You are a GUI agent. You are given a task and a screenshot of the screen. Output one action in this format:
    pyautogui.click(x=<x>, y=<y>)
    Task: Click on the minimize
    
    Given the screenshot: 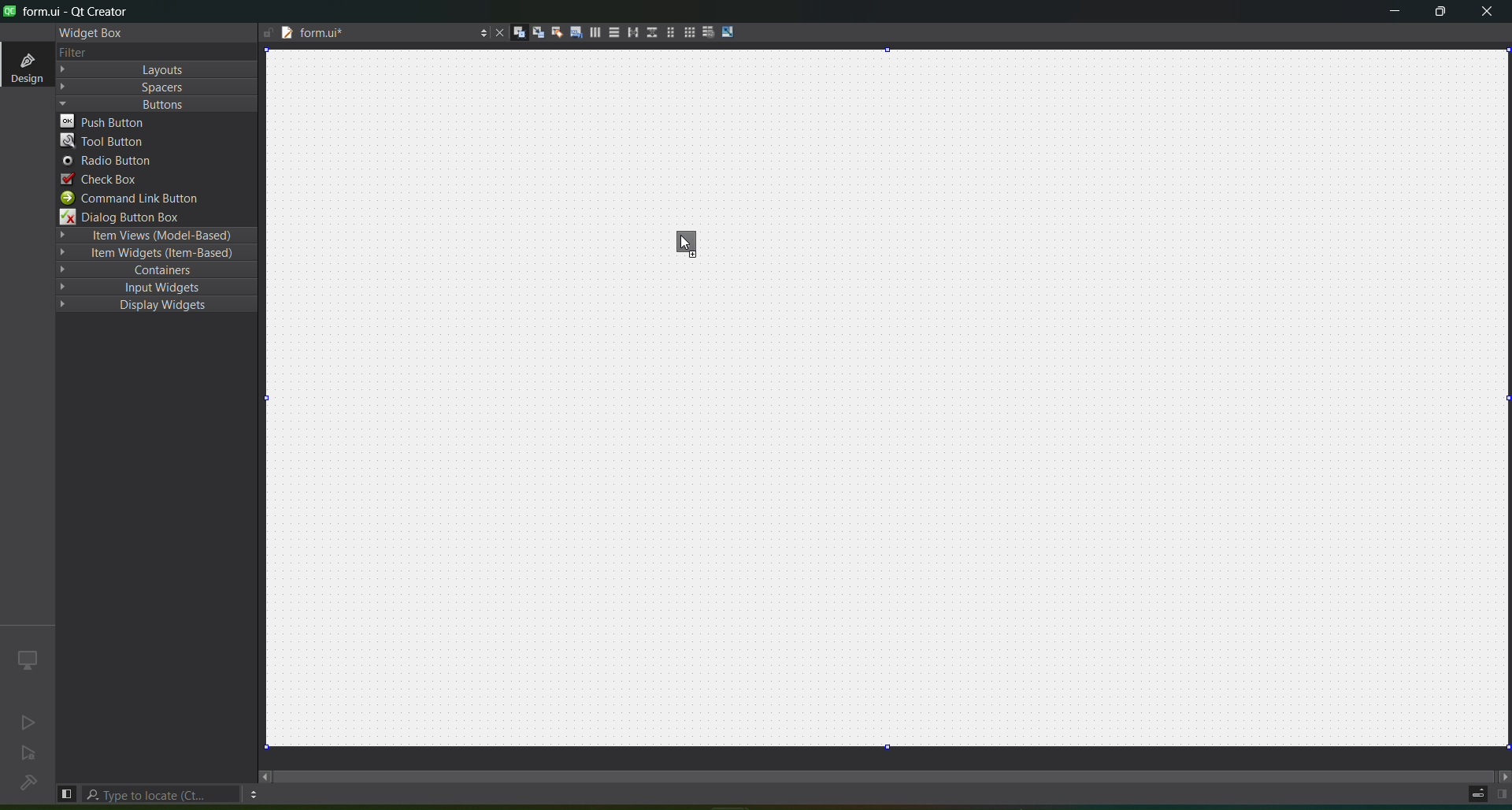 What is the action you would take?
    pyautogui.click(x=1395, y=13)
    